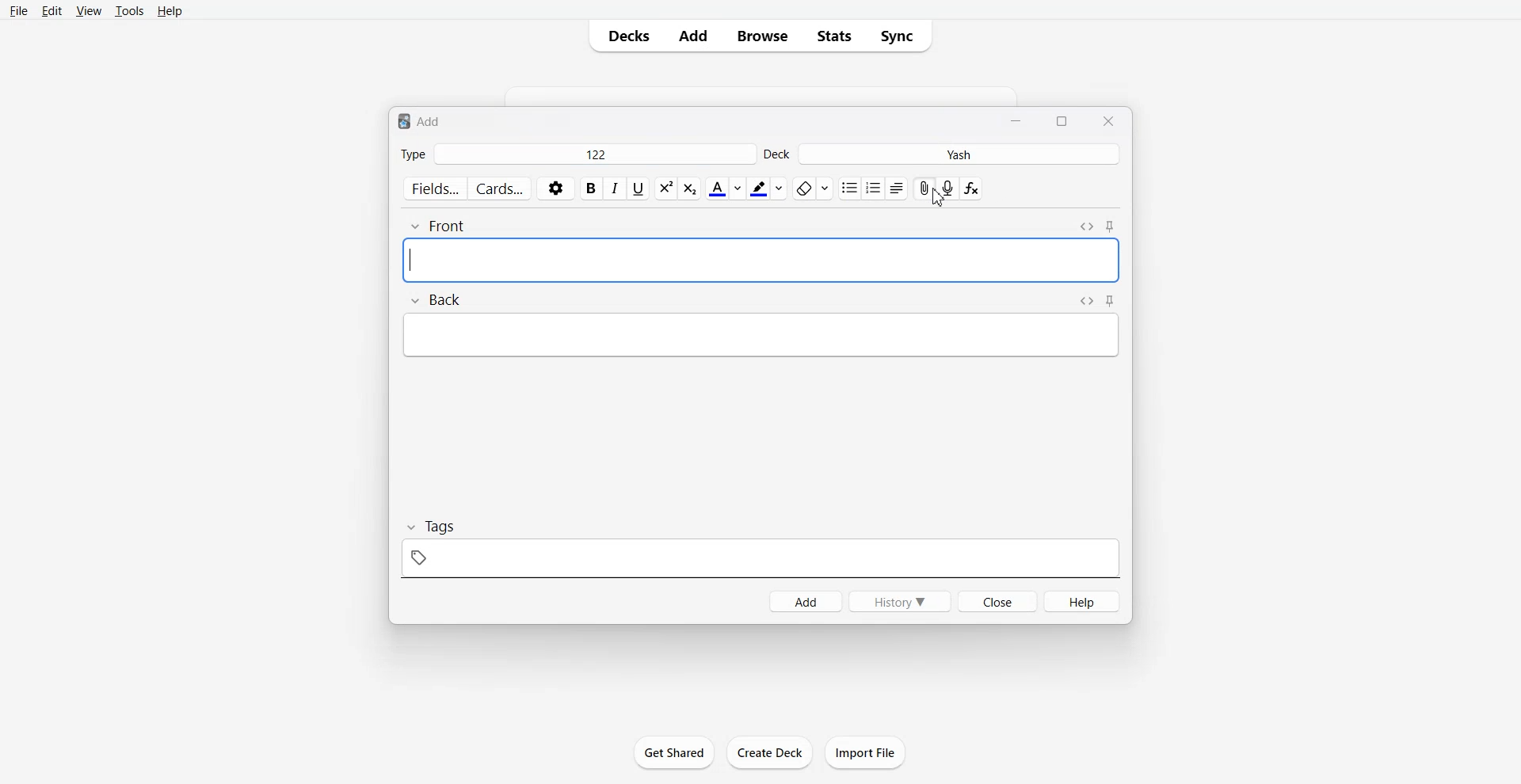  Describe the element at coordinates (898, 189) in the screenshot. I see `Alignment` at that location.